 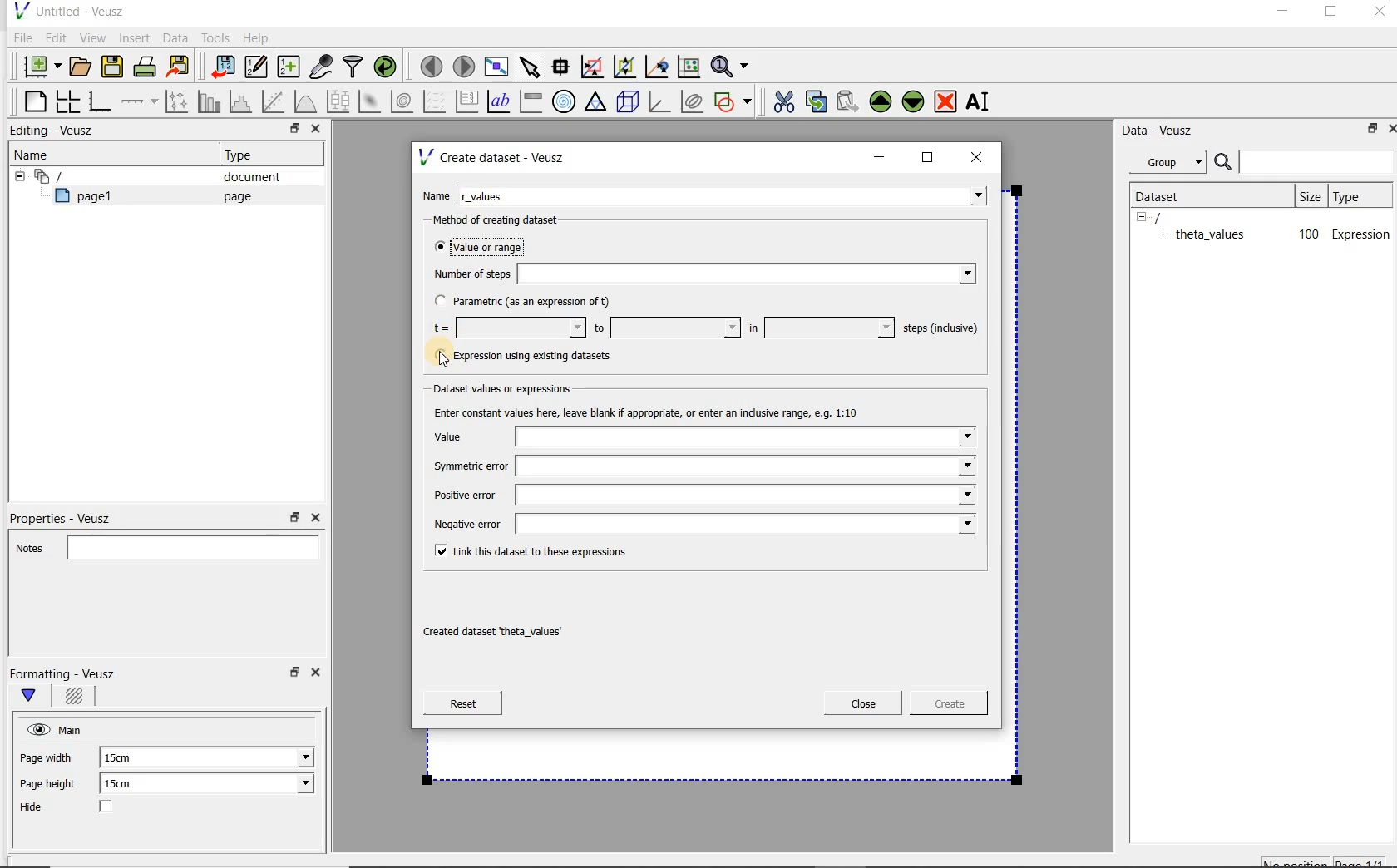 I want to click on Edit, so click(x=55, y=37).